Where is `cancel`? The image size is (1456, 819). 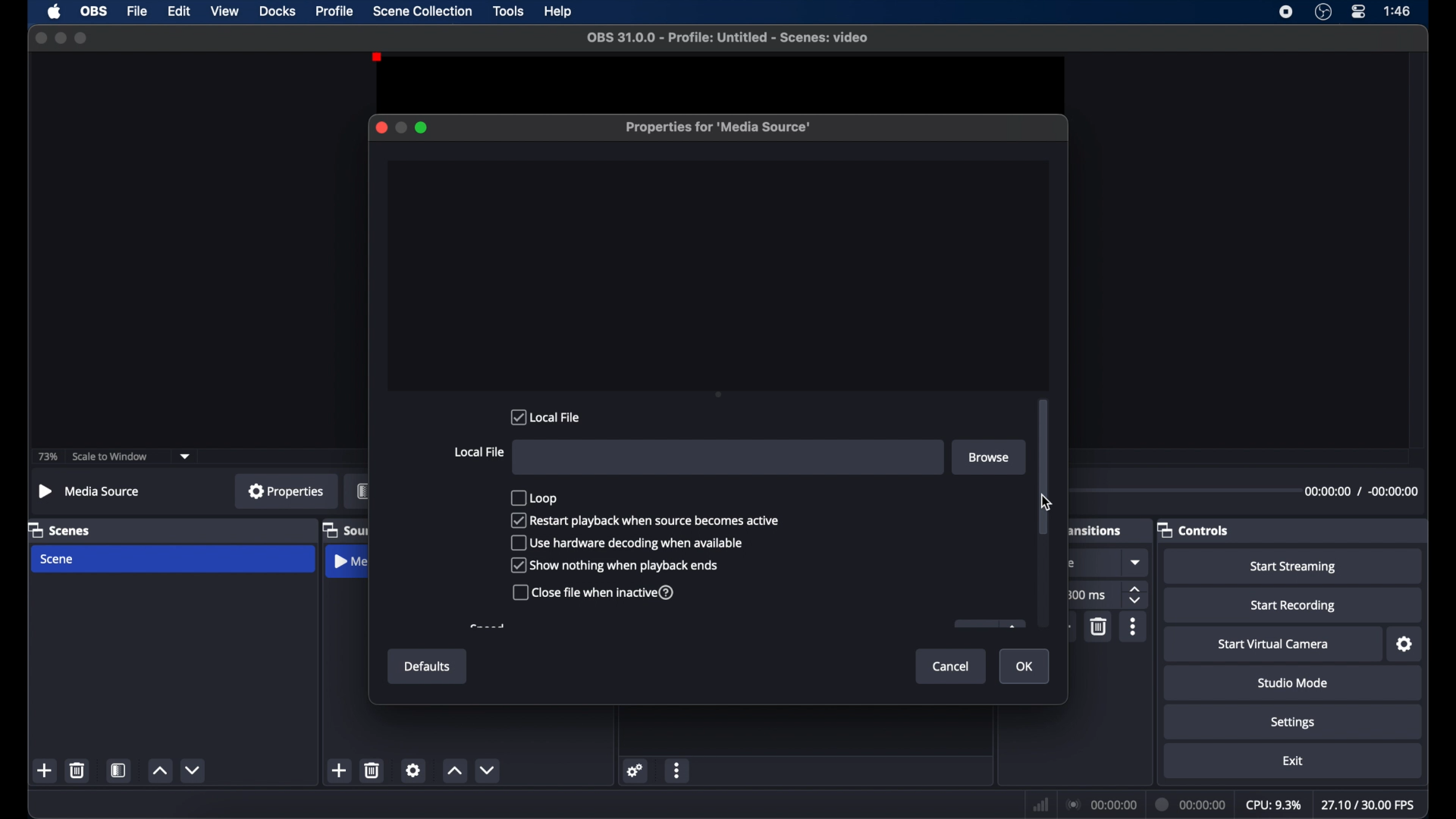 cancel is located at coordinates (952, 667).